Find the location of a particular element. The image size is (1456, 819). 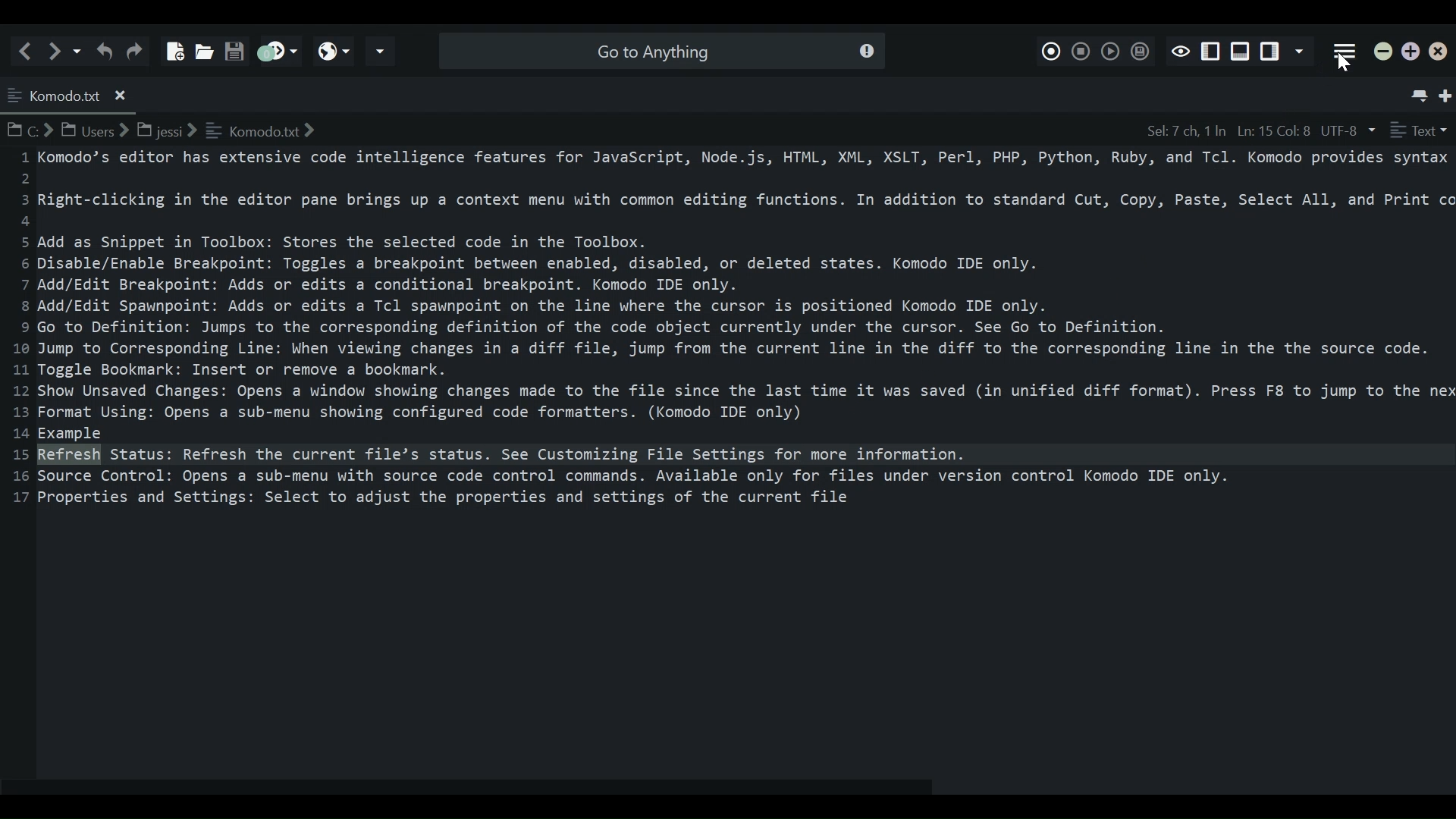

Share current file is located at coordinates (381, 52).